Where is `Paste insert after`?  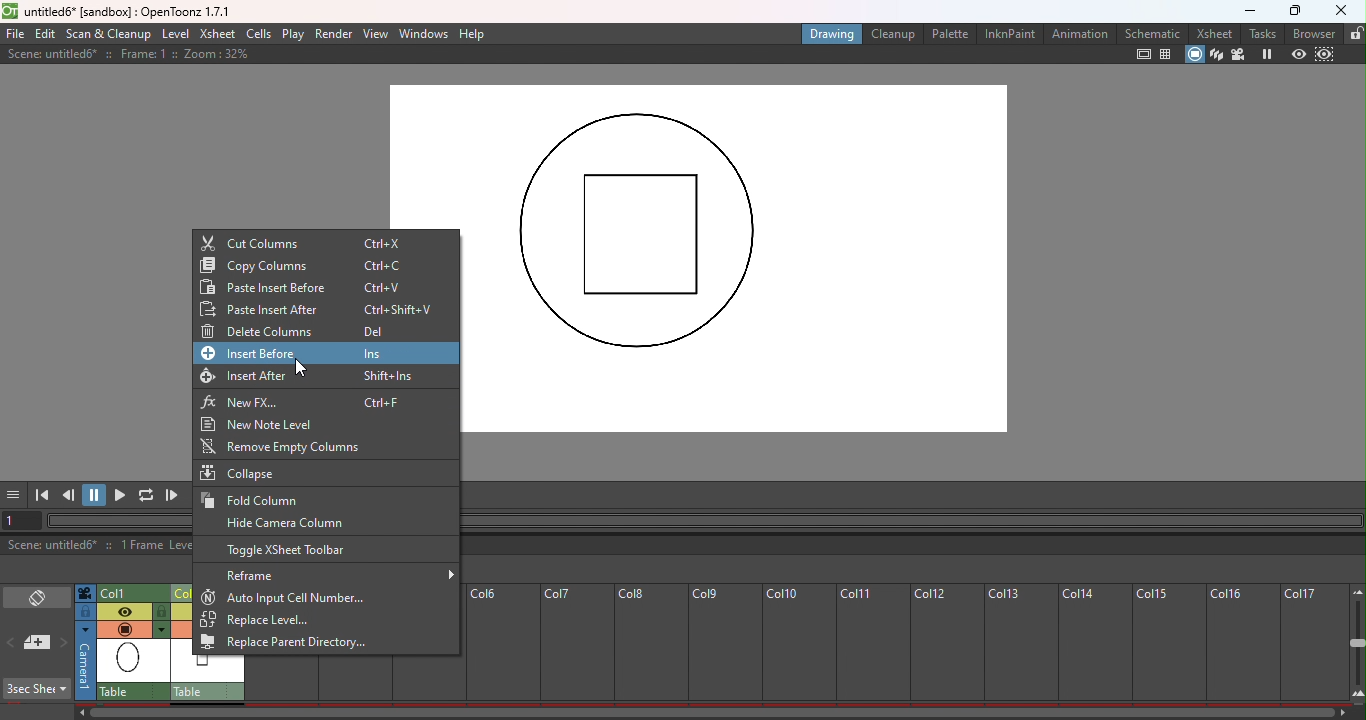
Paste insert after is located at coordinates (321, 309).